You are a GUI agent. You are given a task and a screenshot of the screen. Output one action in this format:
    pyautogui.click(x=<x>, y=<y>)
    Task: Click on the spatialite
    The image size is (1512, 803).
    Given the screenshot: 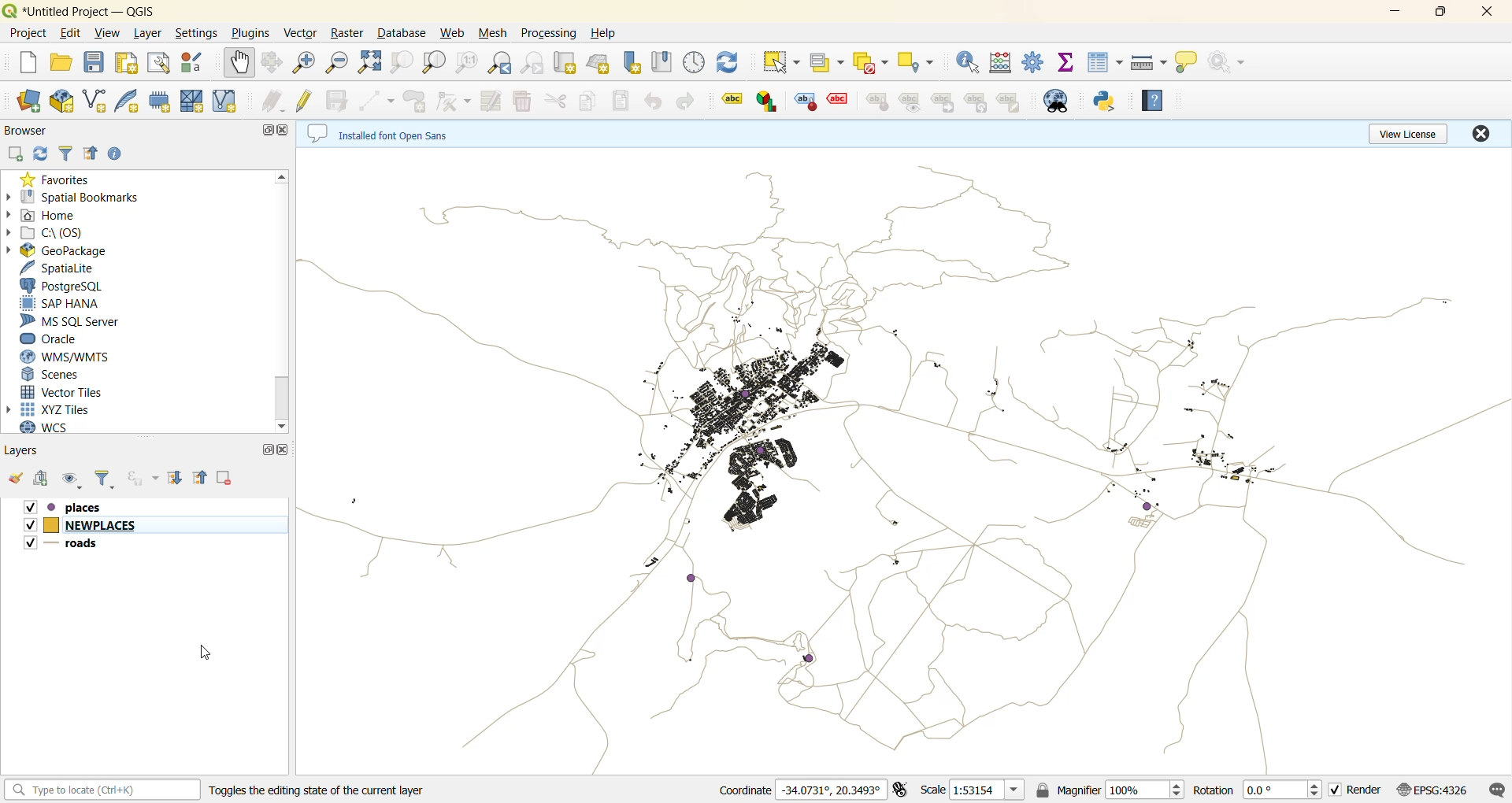 What is the action you would take?
    pyautogui.click(x=61, y=268)
    